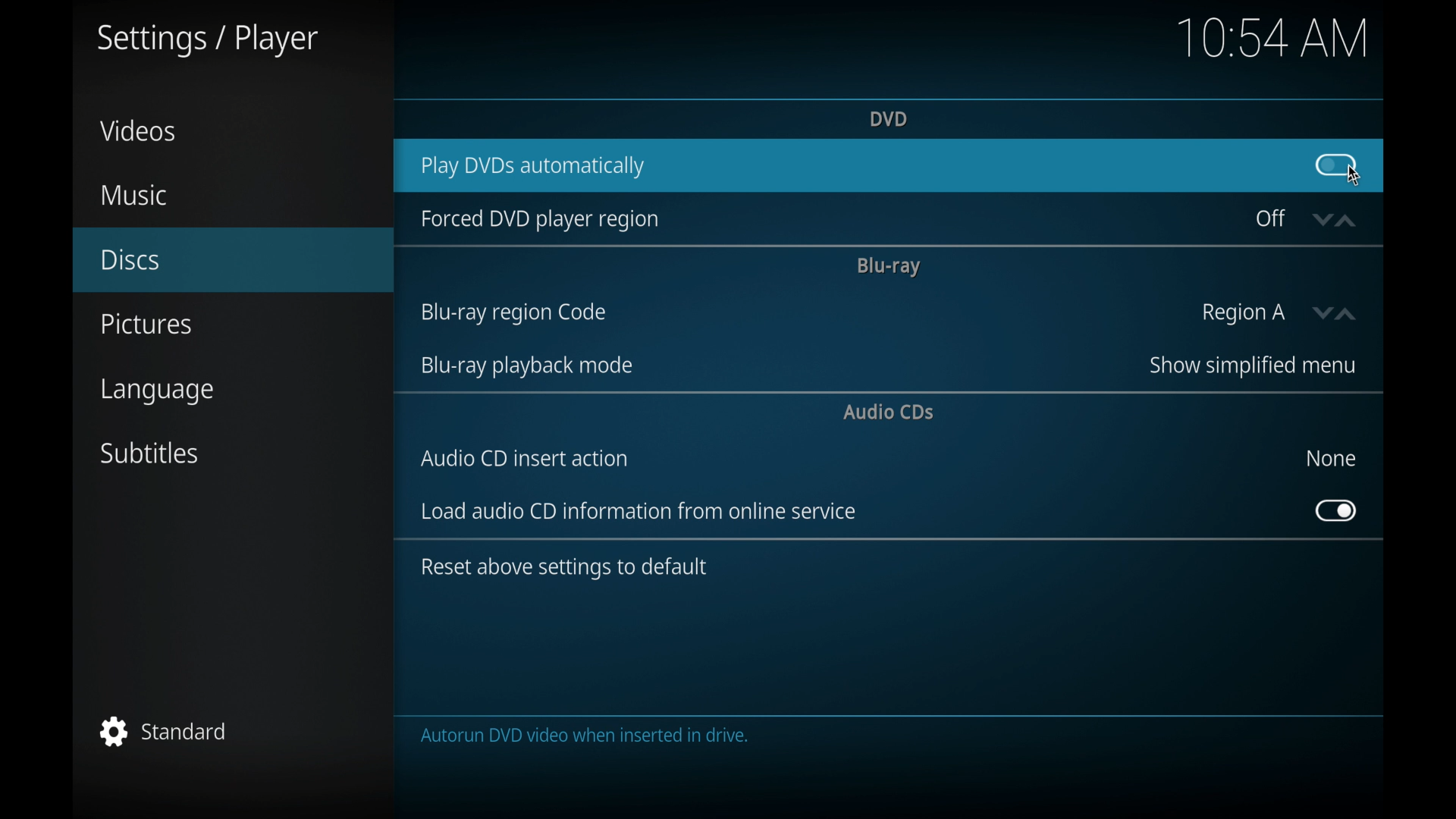  What do you see at coordinates (890, 412) in the screenshot?
I see `audio cds` at bounding box center [890, 412].